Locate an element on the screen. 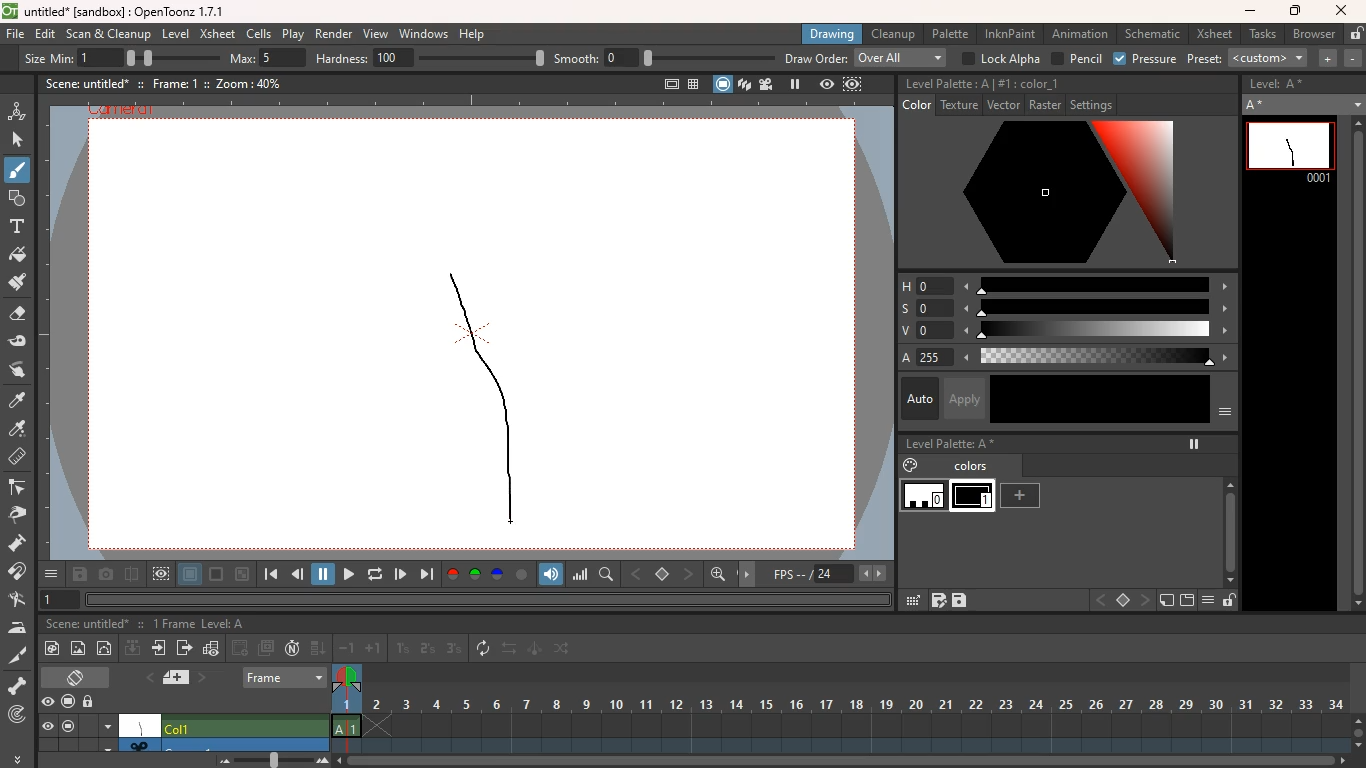  frame is located at coordinates (346, 709).